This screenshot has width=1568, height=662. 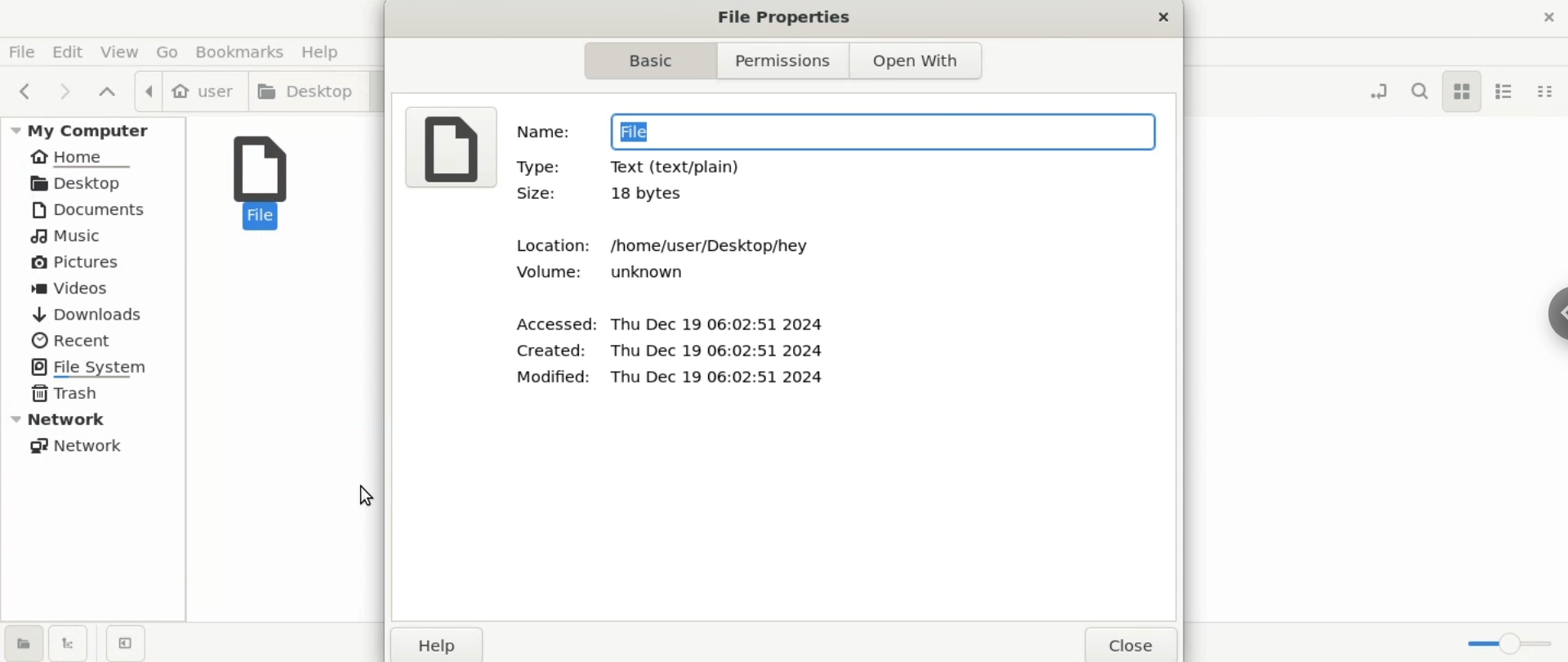 What do you see at coordinates (1461, 91) in the screenshot?
I see `icon view` at bounding box center [1461, 91].